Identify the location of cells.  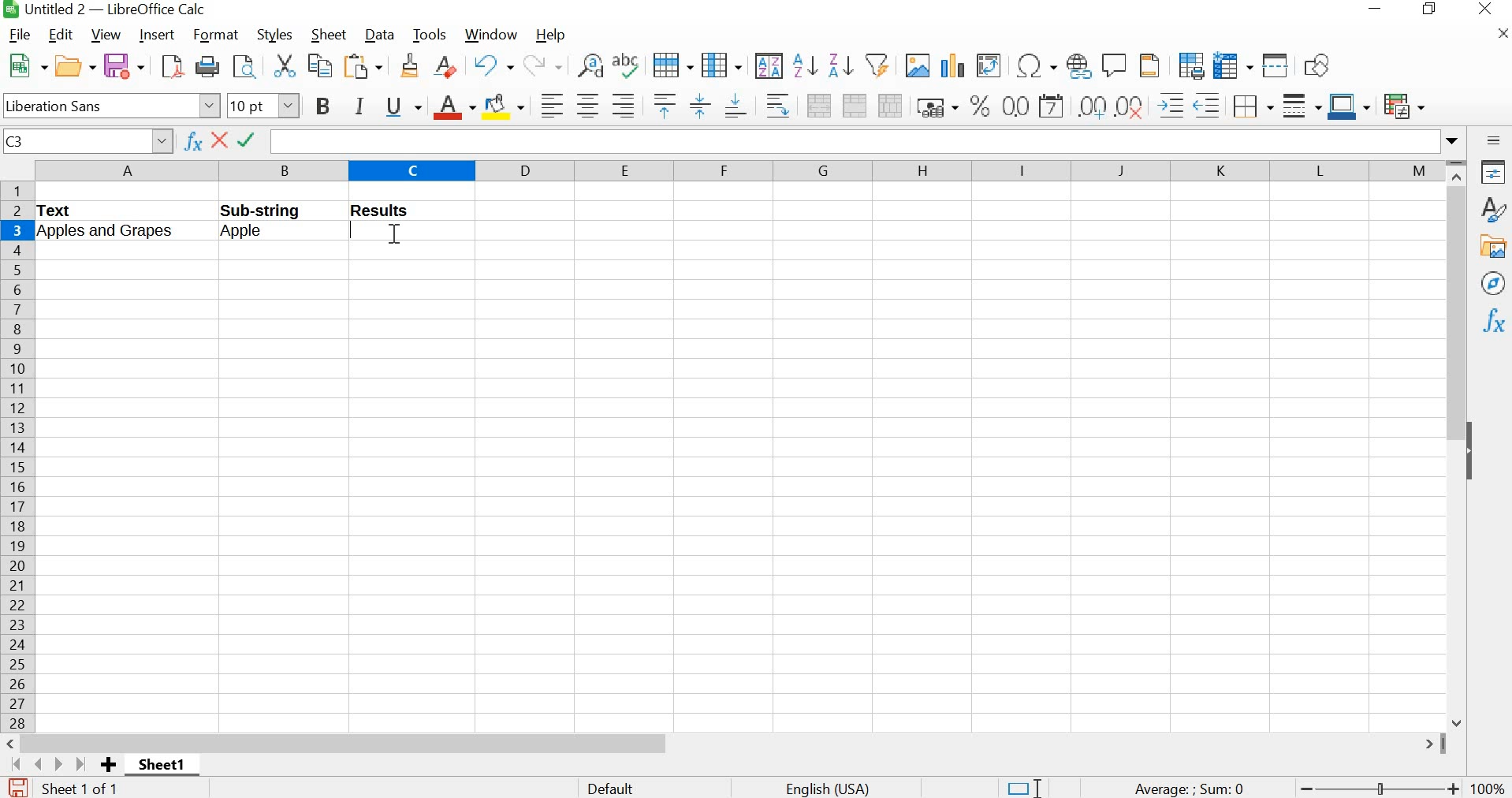
(940, 218).